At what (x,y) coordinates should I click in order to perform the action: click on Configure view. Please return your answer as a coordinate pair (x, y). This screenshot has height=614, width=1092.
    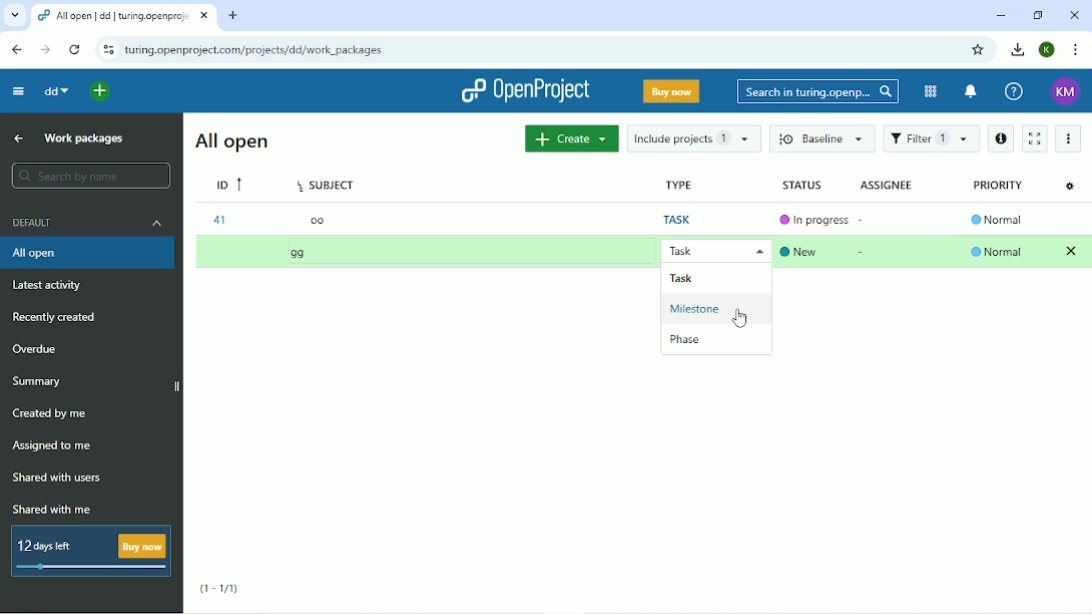
    Looking at the image, I should click on (1070, 188).